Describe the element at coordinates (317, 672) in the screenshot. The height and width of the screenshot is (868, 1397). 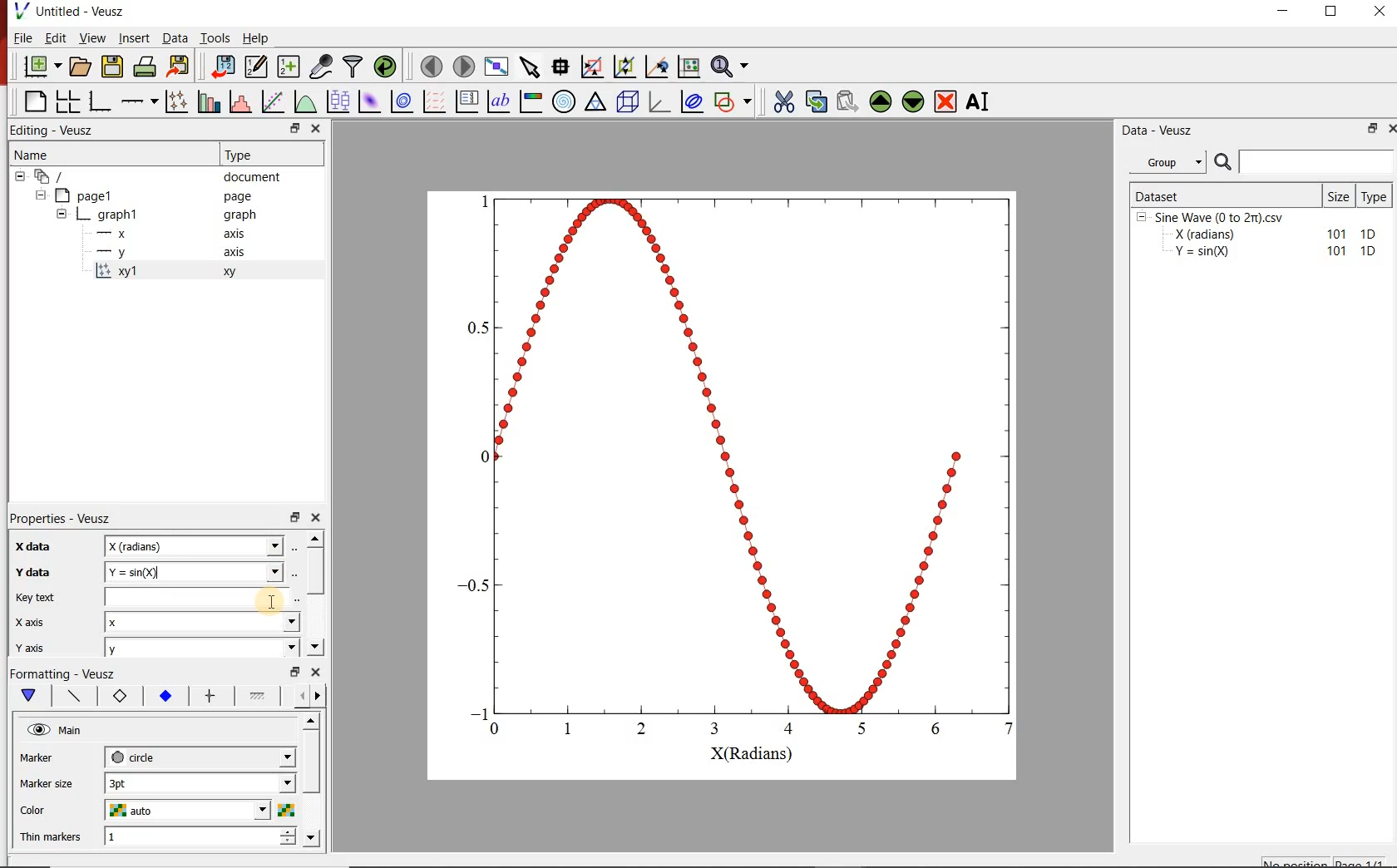
I see `Close` at that location.